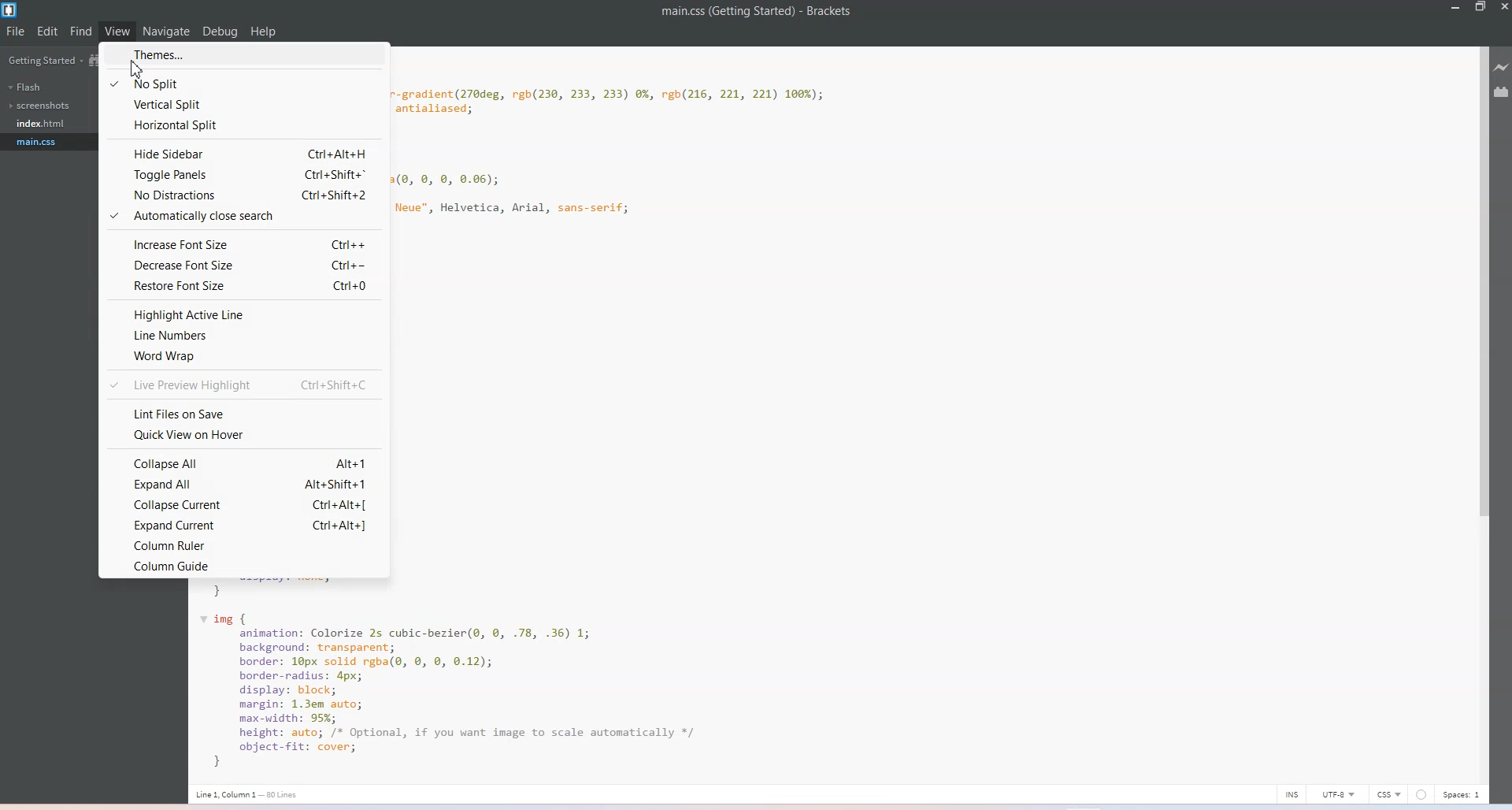 Image resolution: width=1512 pixels, height=810 pixels. Describe the element at coordinates (244, 544) in the screenshot. I see `column ruler` at that location.